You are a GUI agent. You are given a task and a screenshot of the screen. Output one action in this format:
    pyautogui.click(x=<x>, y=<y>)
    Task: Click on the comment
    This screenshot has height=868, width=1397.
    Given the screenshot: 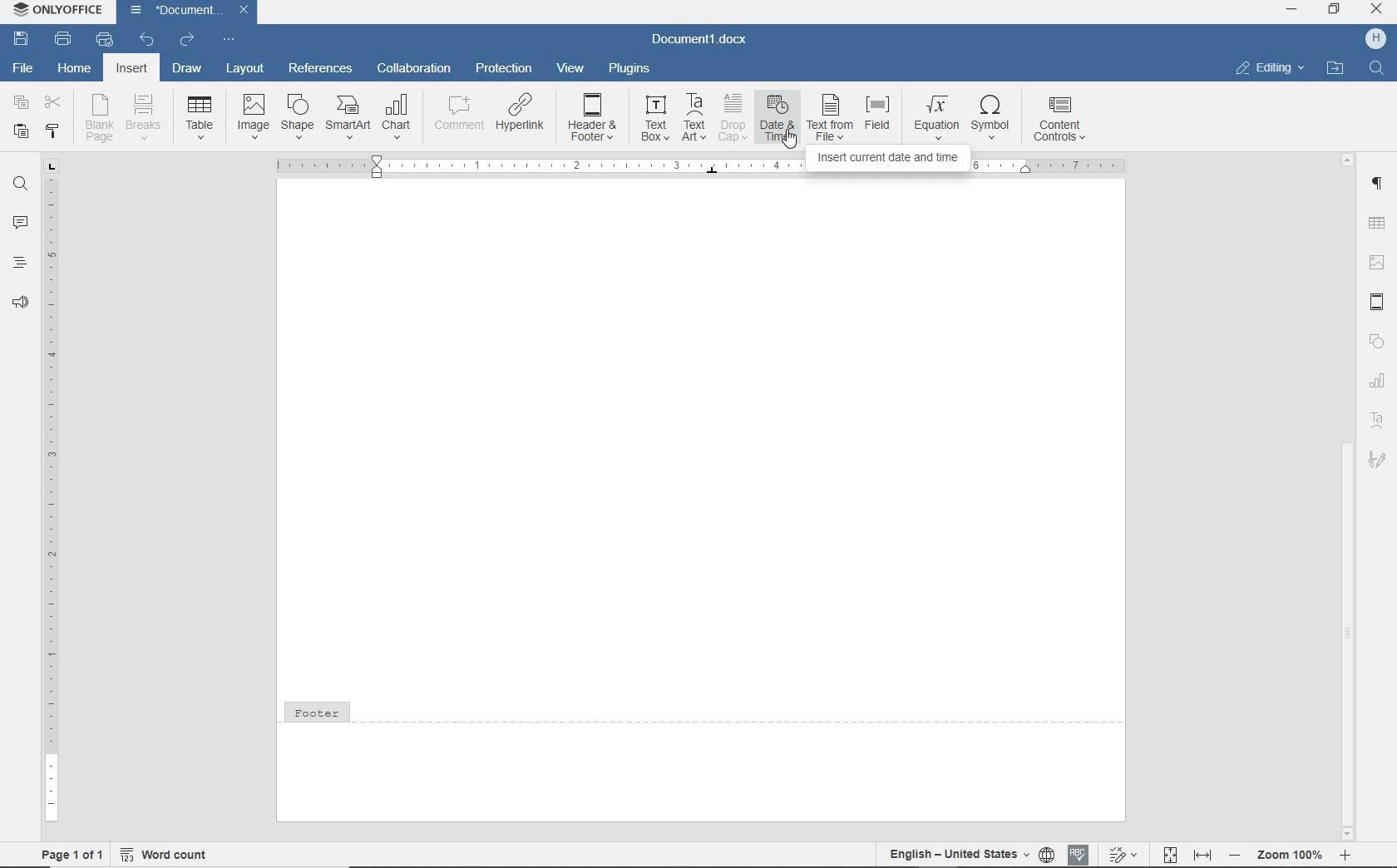 What is the action you would take?
    pyautogui.click(x=457, y=114)
    